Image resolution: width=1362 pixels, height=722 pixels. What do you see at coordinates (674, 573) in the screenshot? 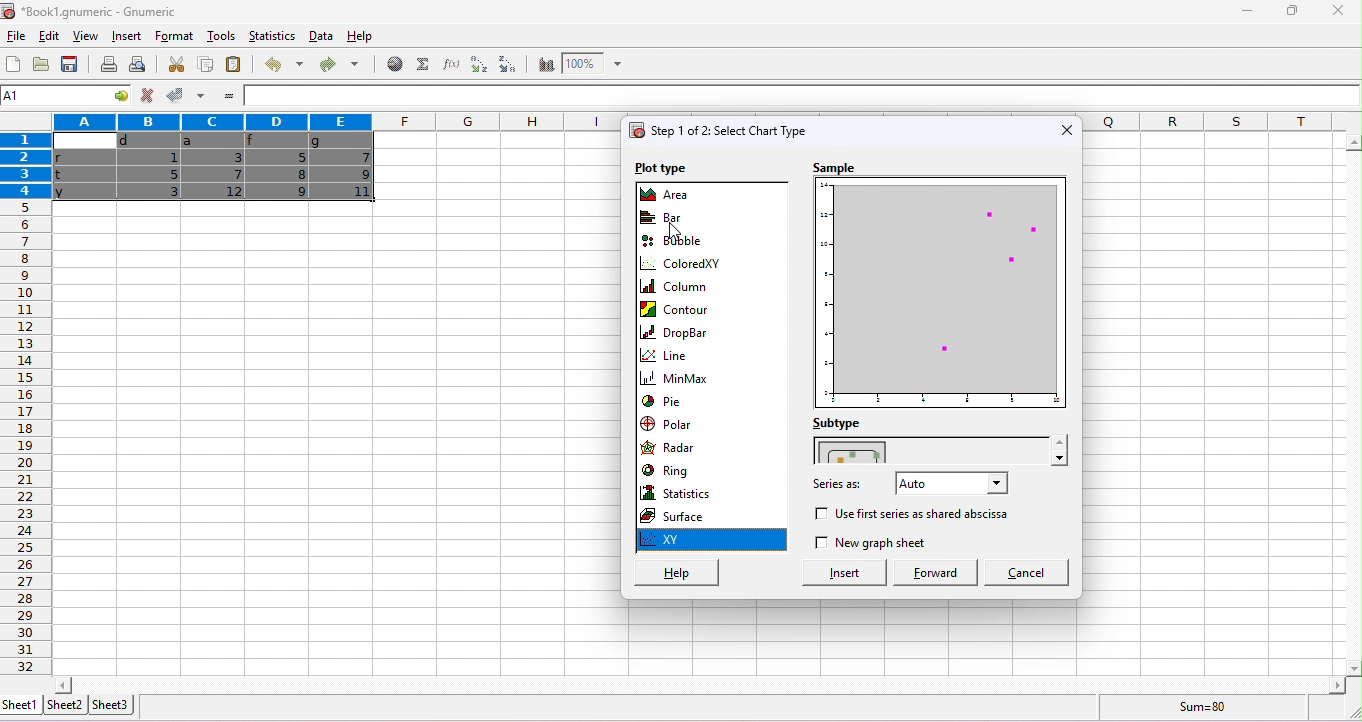
I see `help` at bounding box center [674, 573].